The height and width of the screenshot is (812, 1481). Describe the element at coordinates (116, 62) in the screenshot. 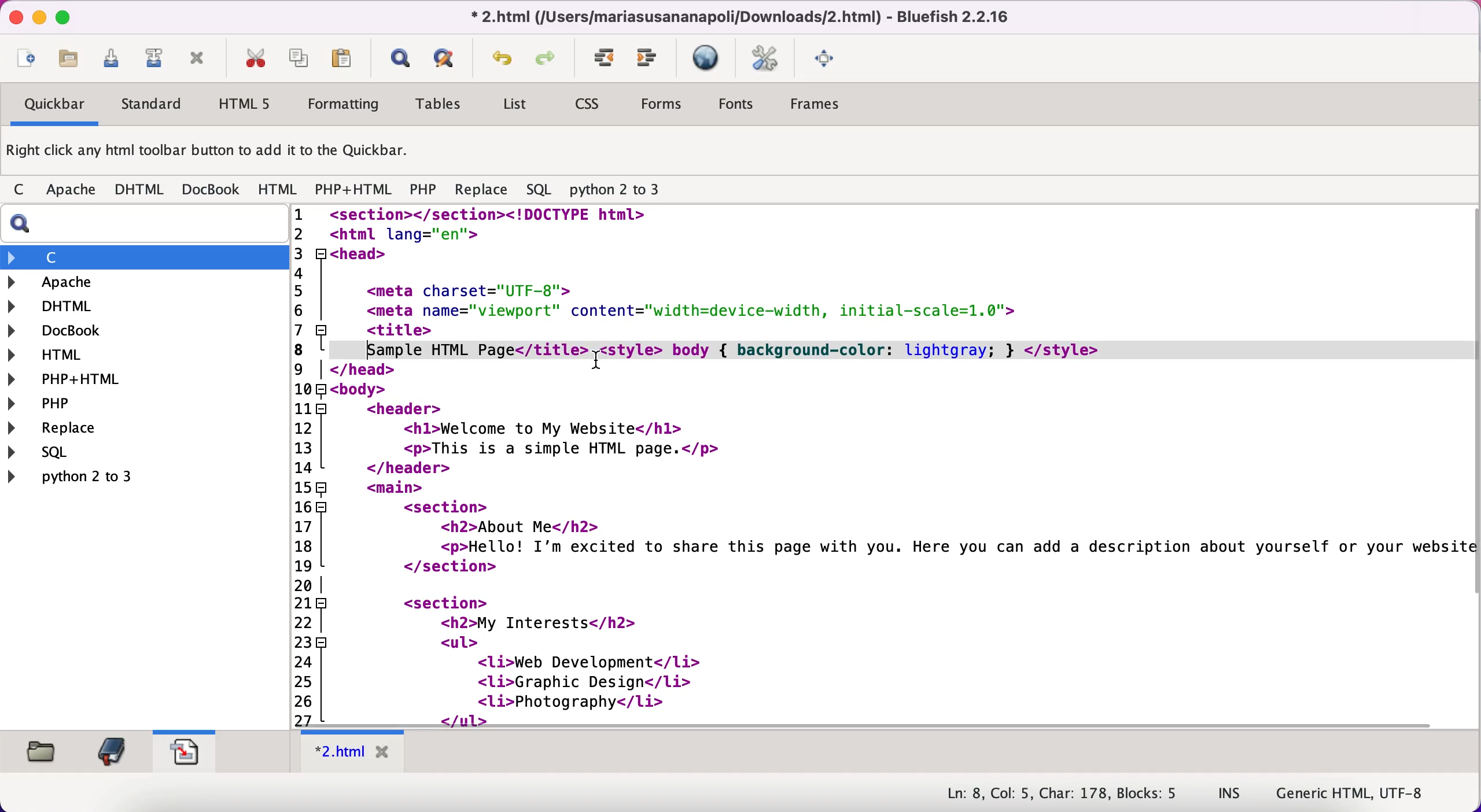

I see `save current file` at that location.